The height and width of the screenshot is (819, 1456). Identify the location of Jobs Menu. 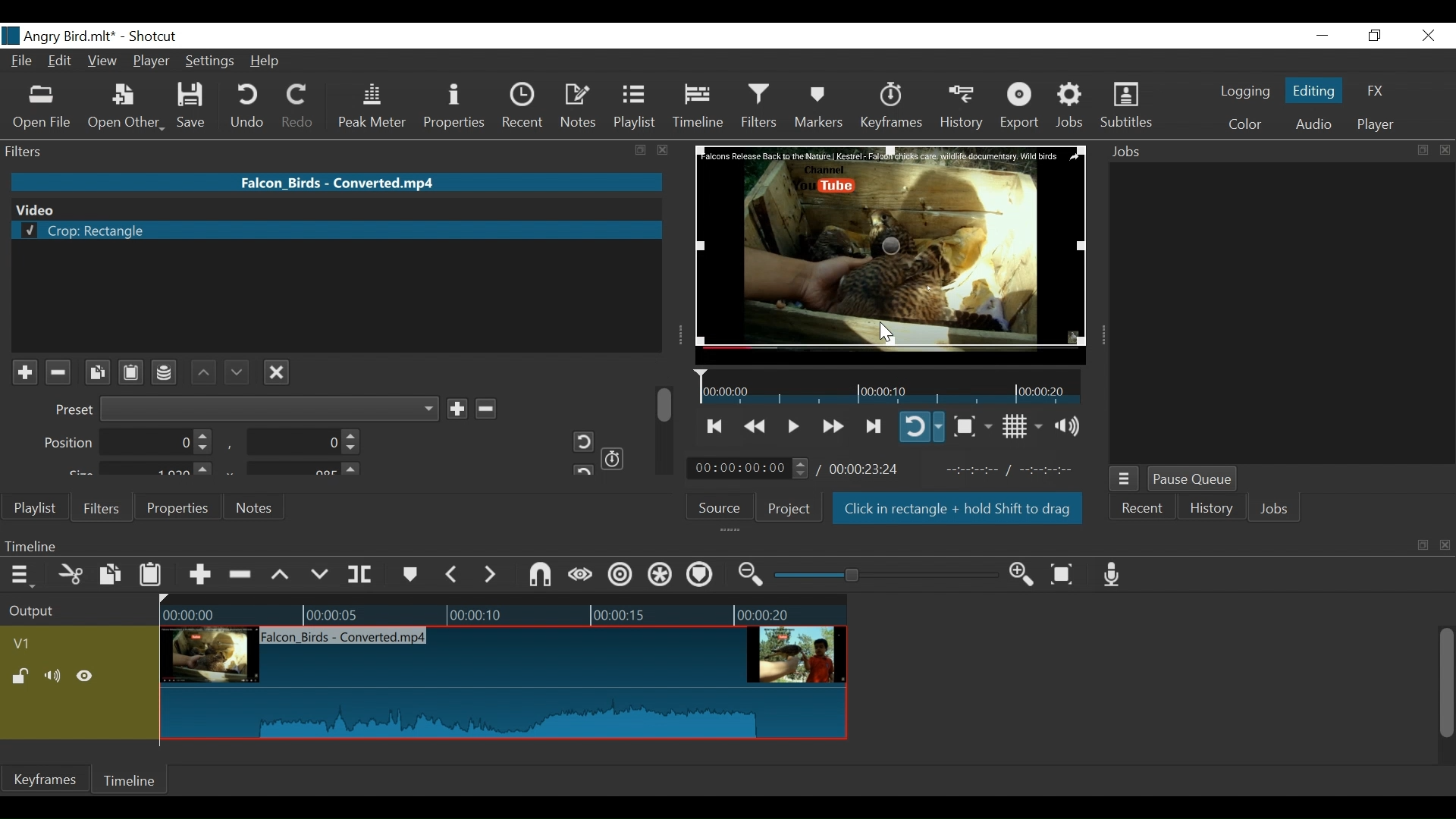
(1122, 480).